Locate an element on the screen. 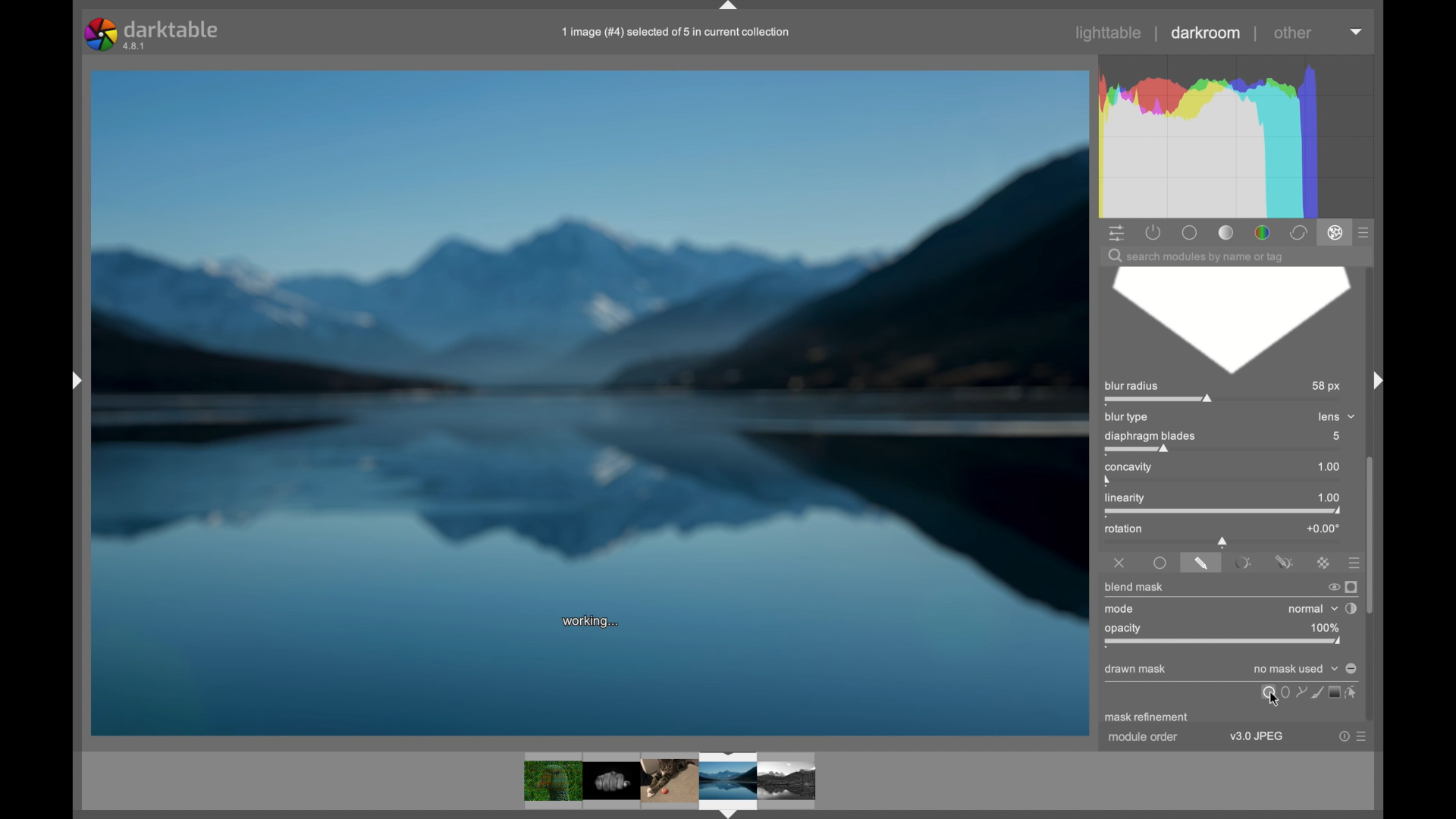 The image size is (1456, 819). uniformly is located at coordinates (1161, 563).